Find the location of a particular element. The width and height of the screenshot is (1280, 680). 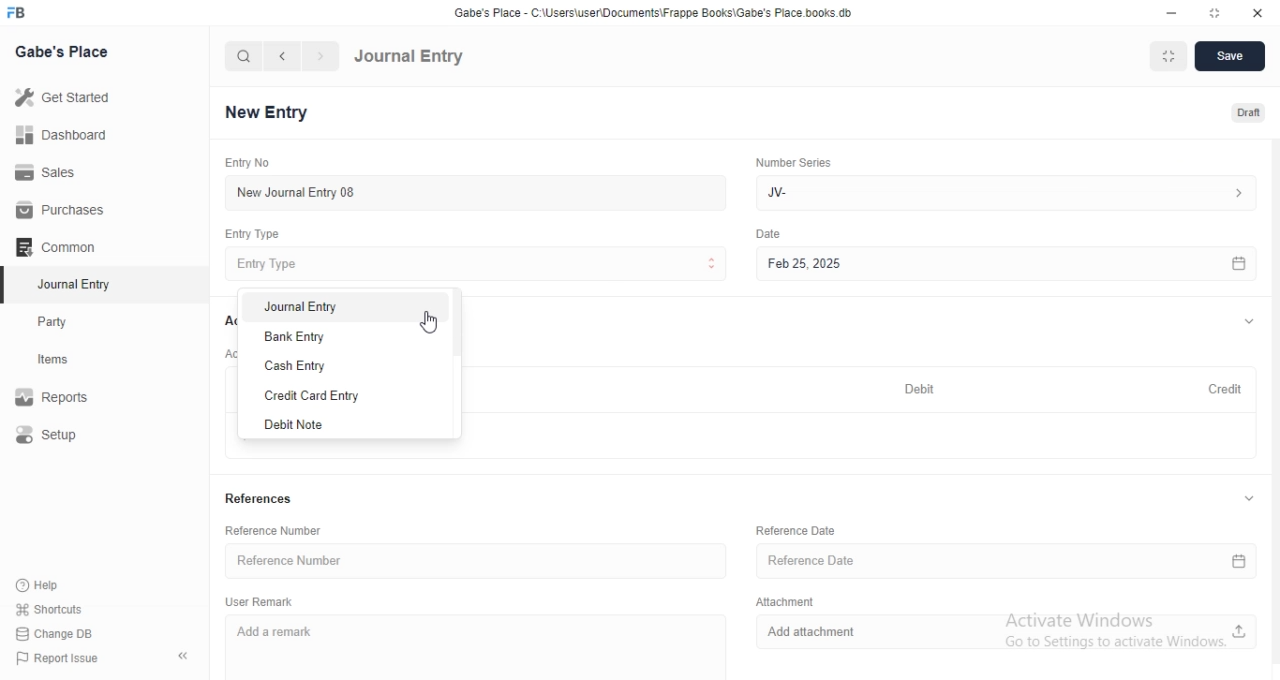

search is located at coordinates (244, 57).